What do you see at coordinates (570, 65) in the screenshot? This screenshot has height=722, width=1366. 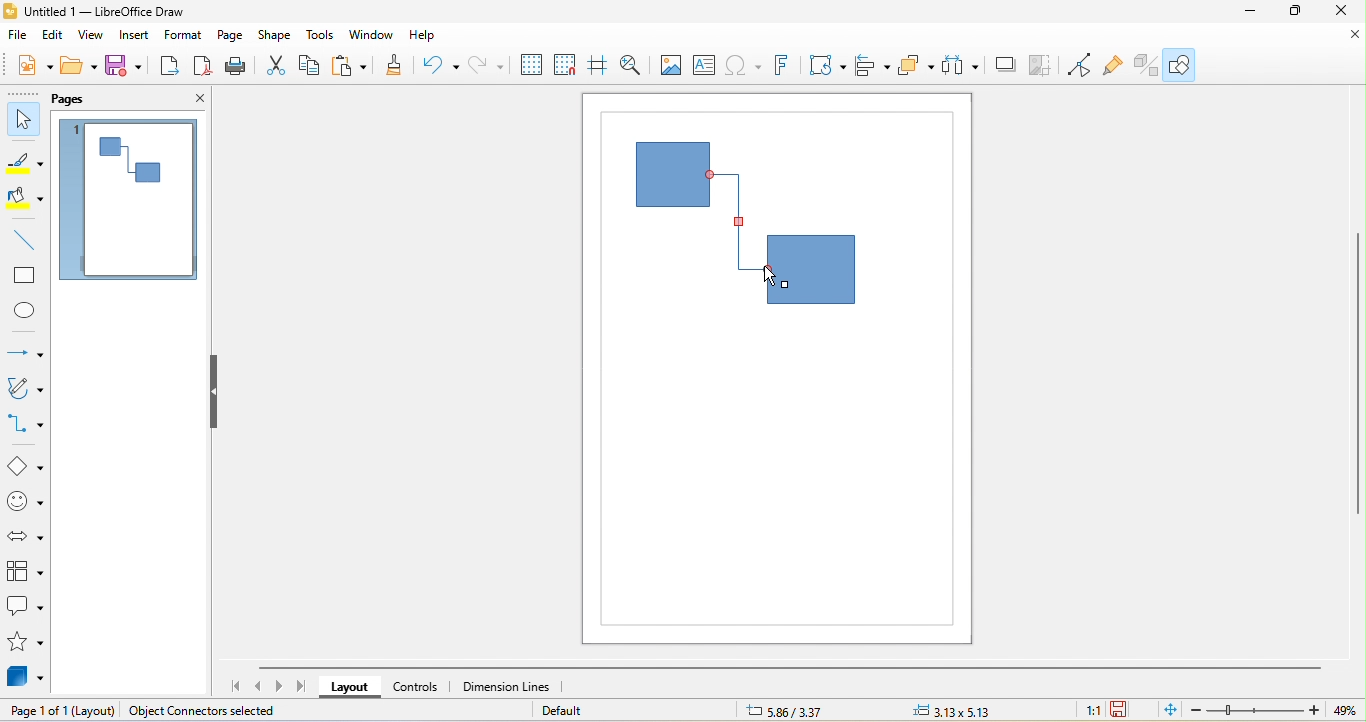 I see `snap to grid` at bounding box center [570, 65].